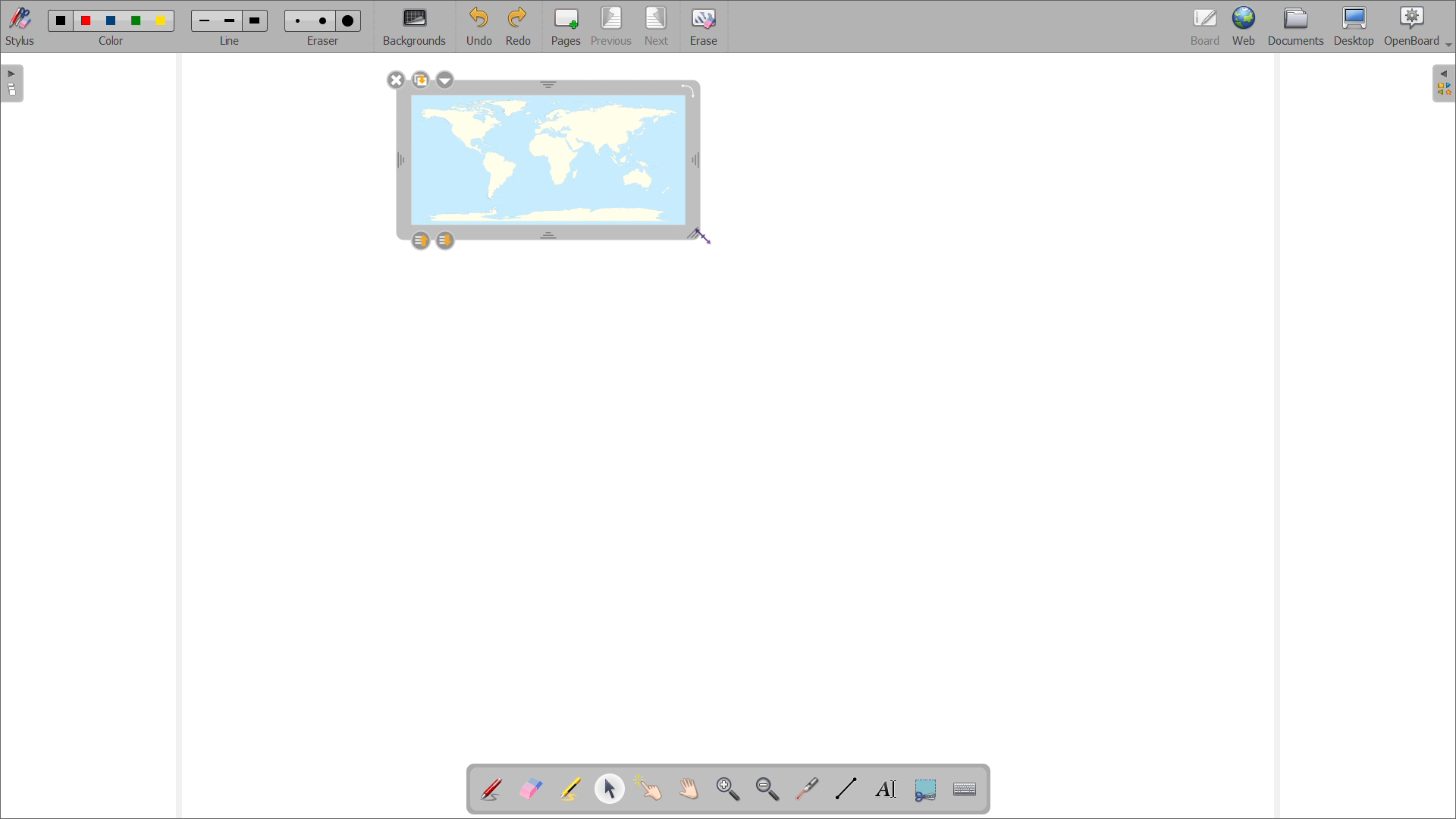  Describe the element at coordinates (693, 232) in the screenshot. I see `resize` at that location.